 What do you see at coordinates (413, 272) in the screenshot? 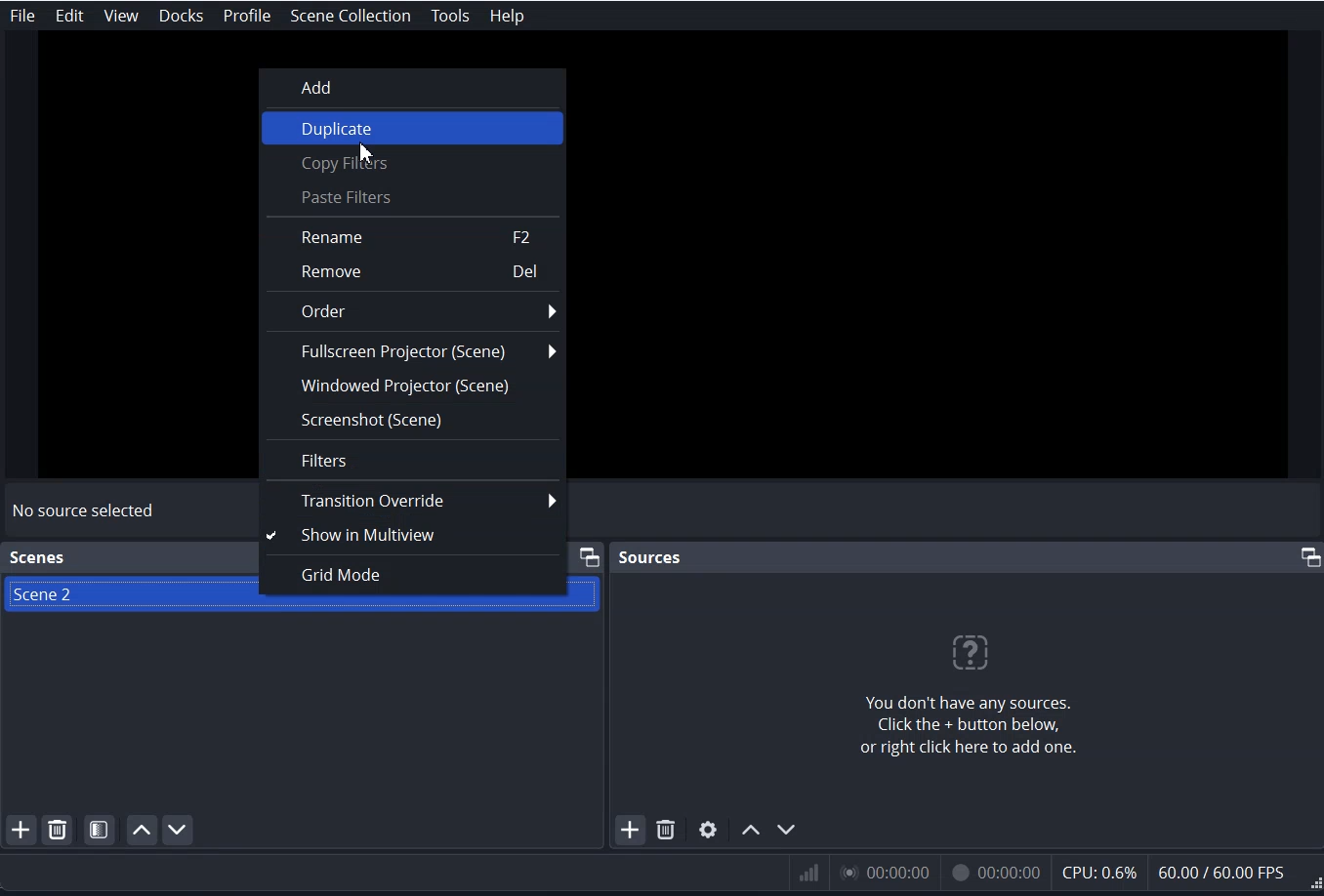
I see `Remove` at bounding box center [413, 272].